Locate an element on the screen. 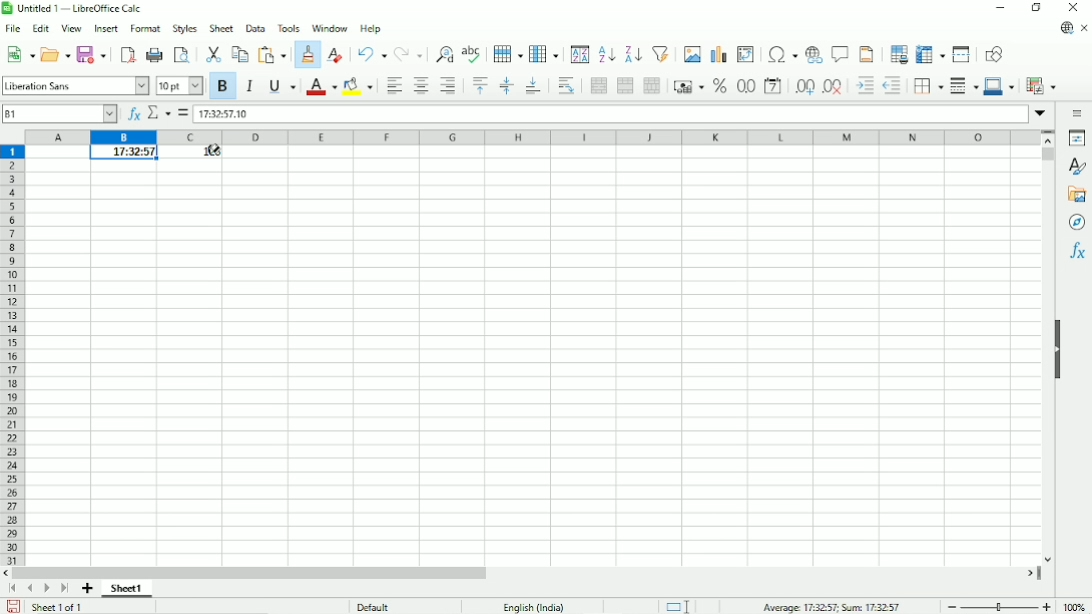 This screenshot has height=614, width=1092. Properties is located at coordinates (1074, 138).